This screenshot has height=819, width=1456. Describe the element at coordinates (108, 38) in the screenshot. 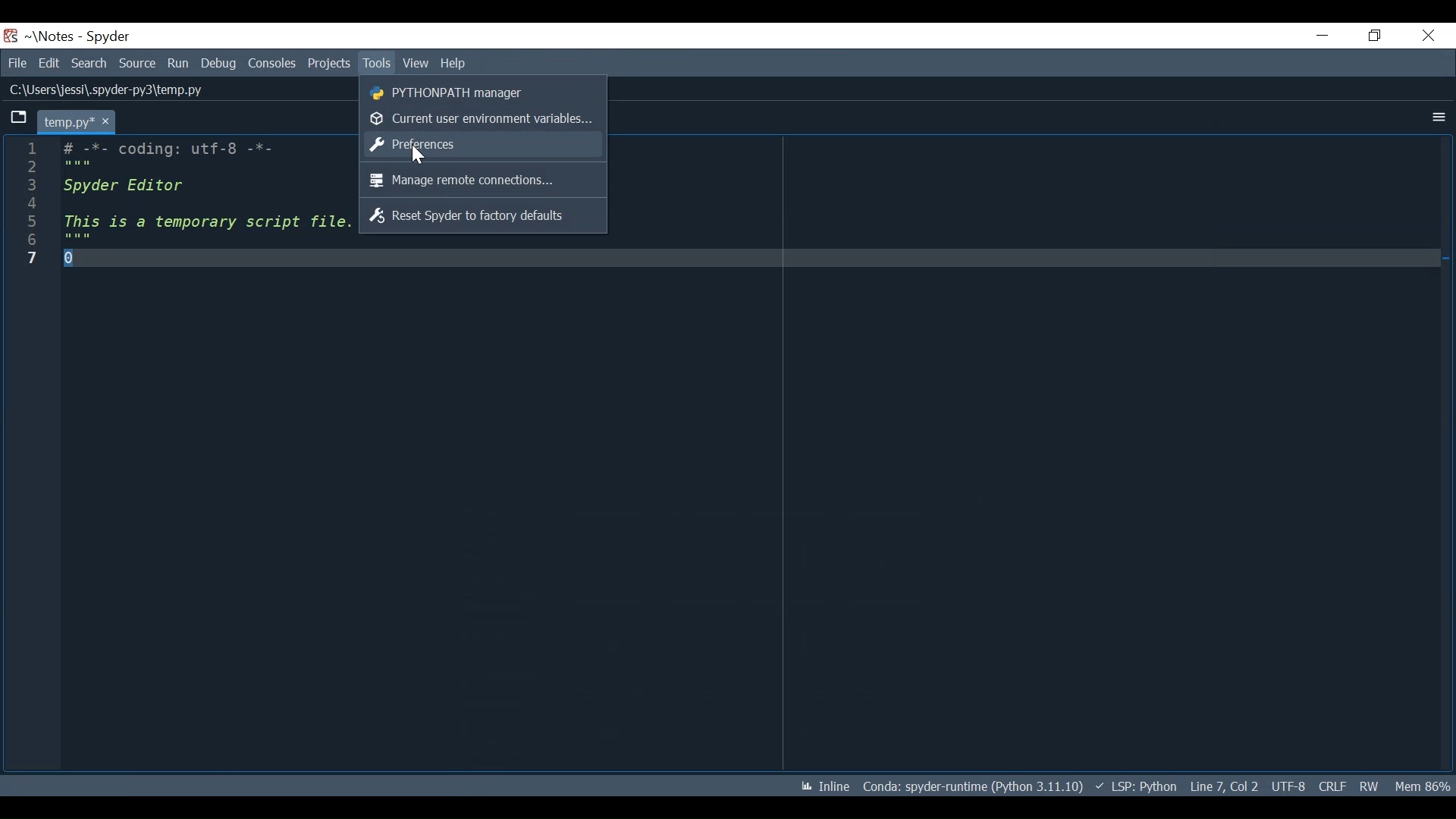

I see `Spyder` at that location.